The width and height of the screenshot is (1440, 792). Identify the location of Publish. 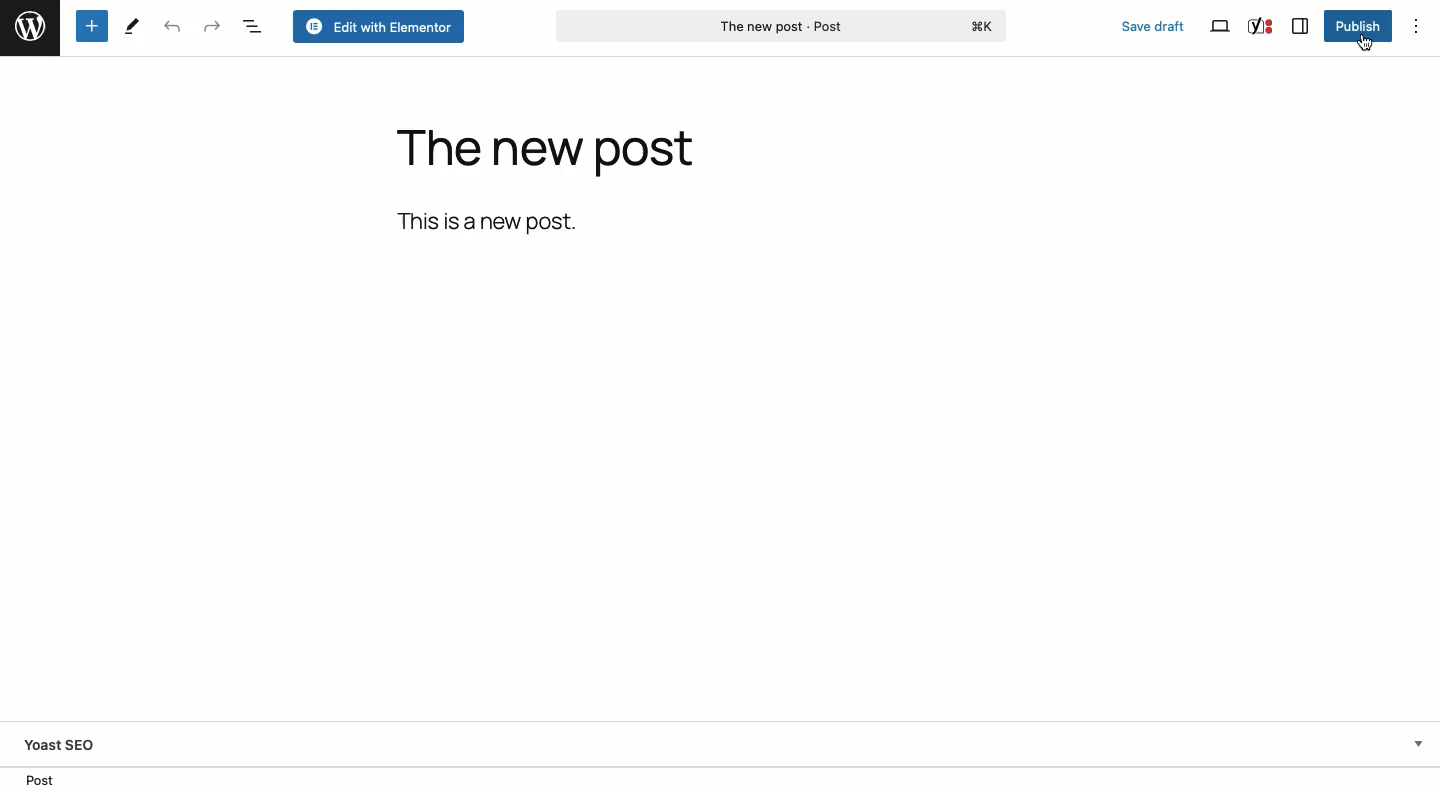
(1358, 27).